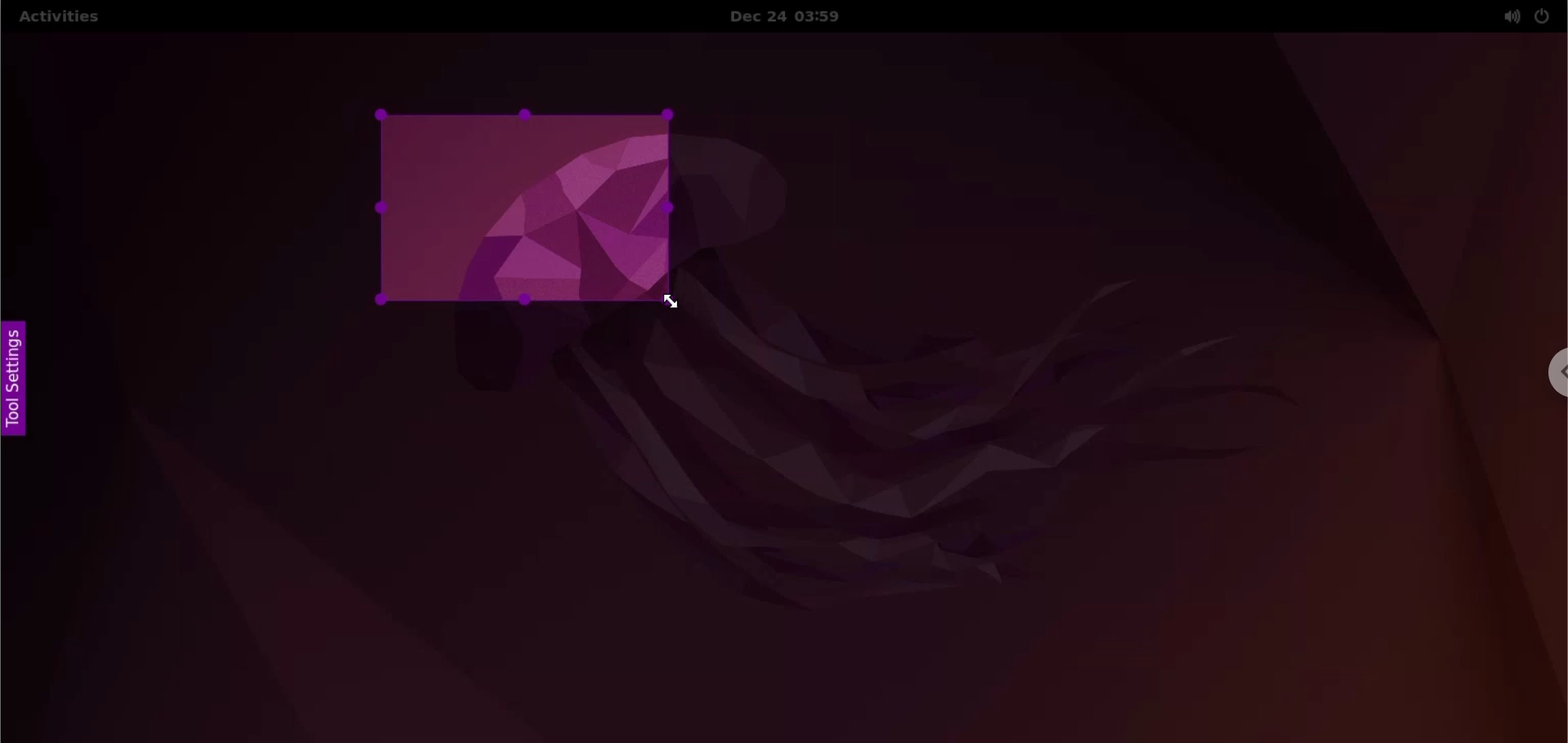 The width and height of the screenshot is (1568, 743). I want to click on chrome options , so click(1552, 376).